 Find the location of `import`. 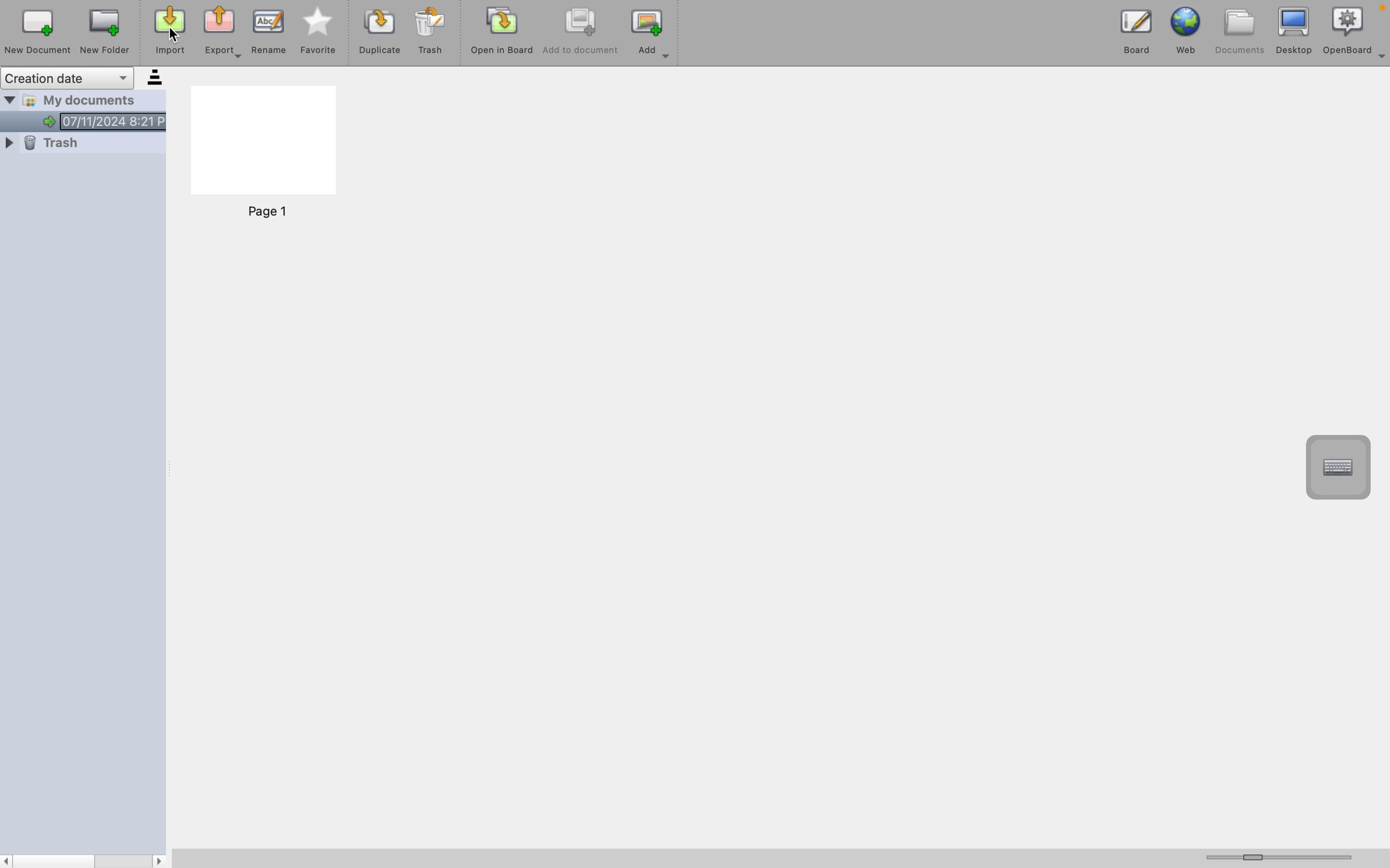

import is located at coordinates (167, 34).